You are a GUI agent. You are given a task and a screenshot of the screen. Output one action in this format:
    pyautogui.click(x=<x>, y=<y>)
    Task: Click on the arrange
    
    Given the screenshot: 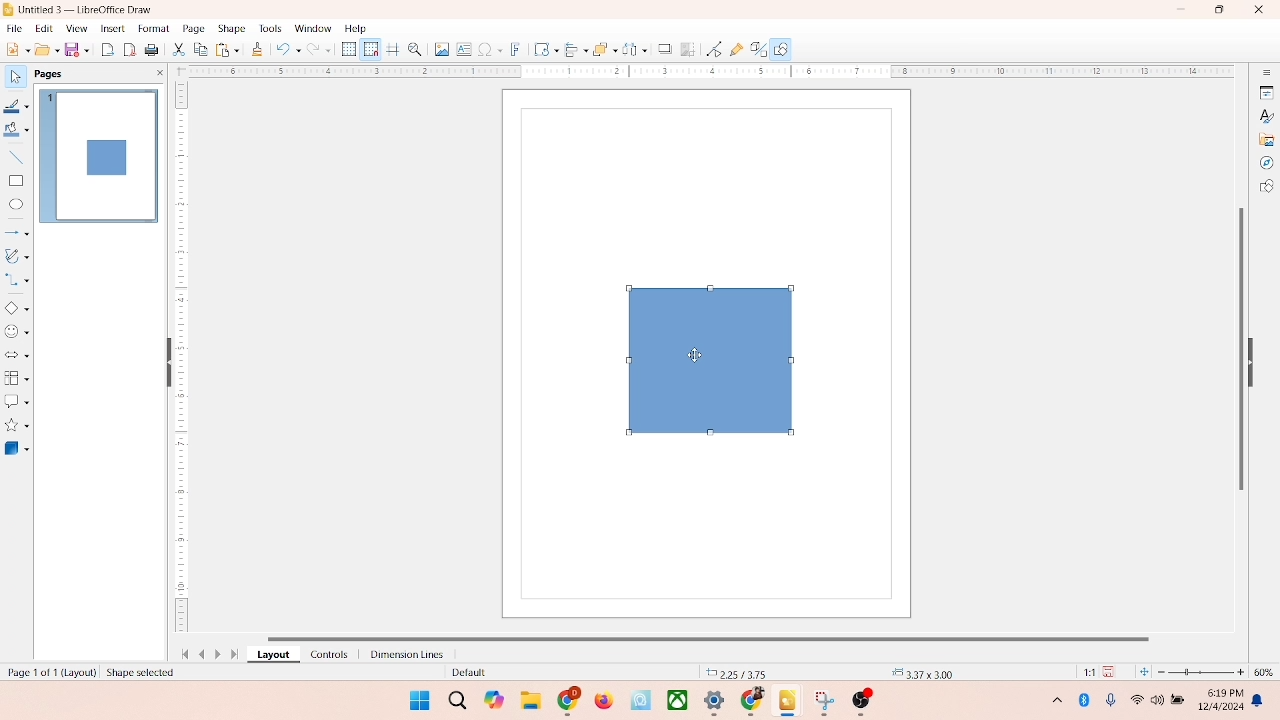 What is the action you would take?
    pyautogui.click(x=599, y=47)
    